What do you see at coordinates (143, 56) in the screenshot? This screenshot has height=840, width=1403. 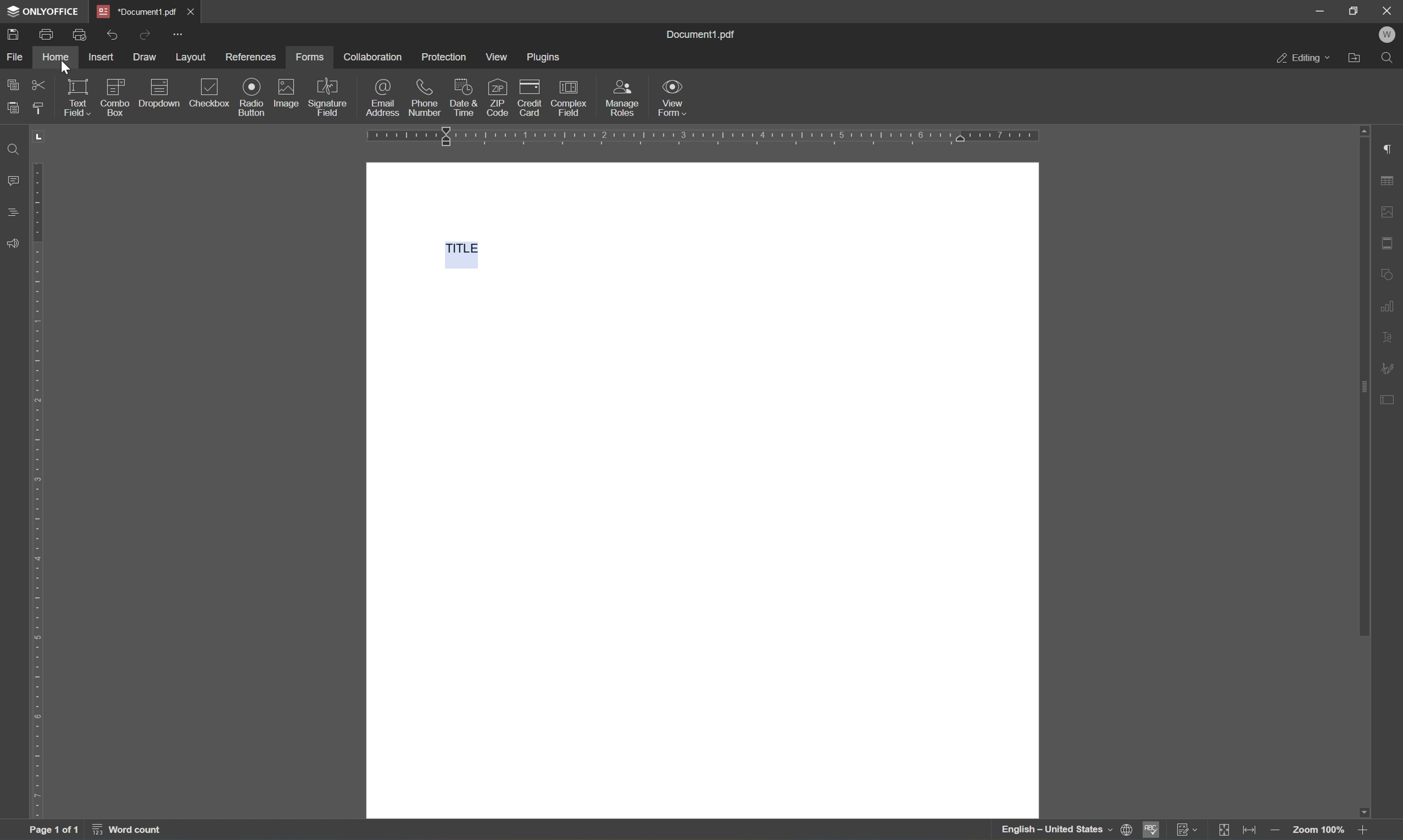 I see `draw` at bounding box center [143, 56].